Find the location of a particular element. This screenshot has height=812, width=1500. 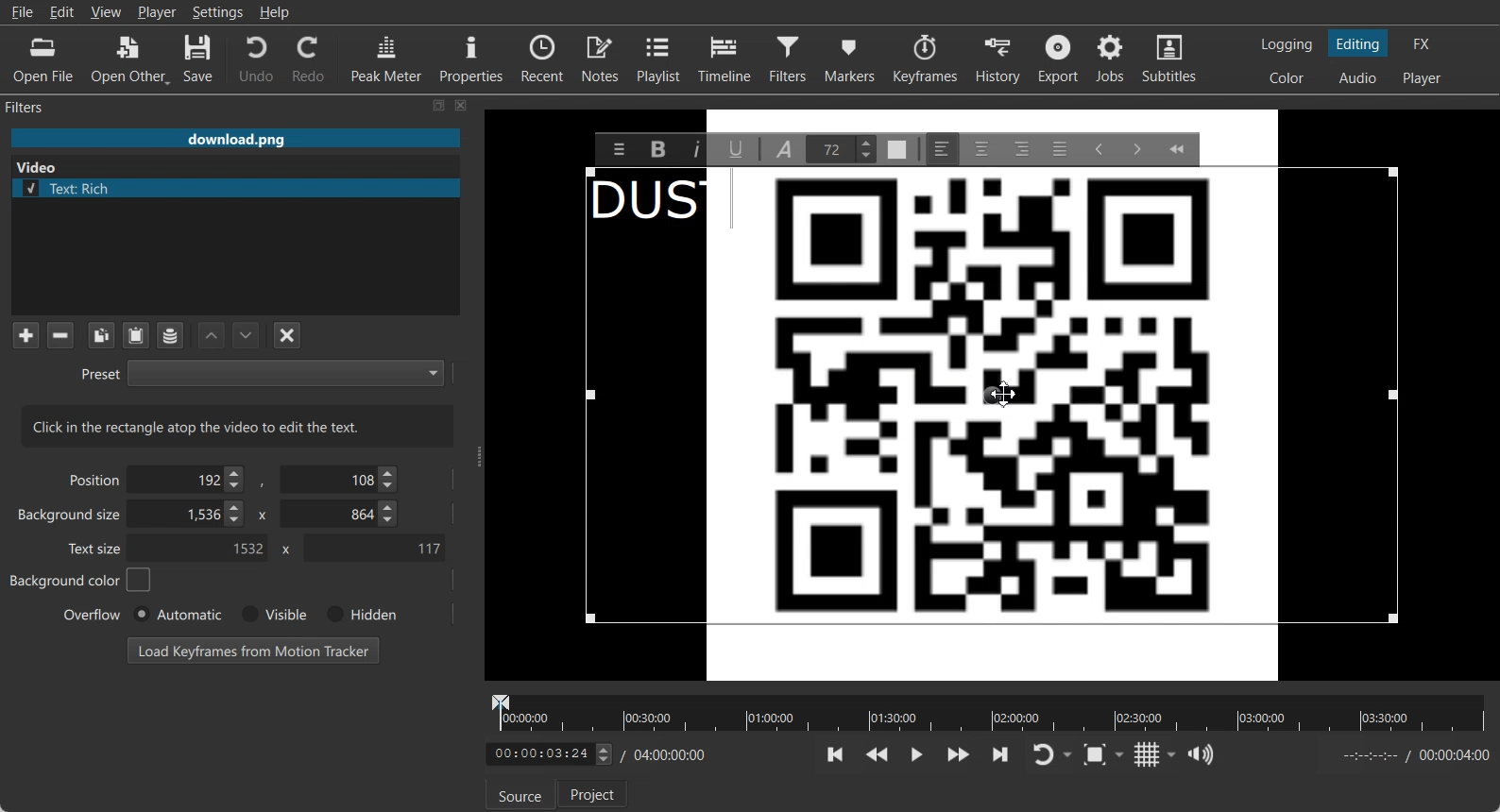

Toggle player lopping is located at coordinates (1040, 755).